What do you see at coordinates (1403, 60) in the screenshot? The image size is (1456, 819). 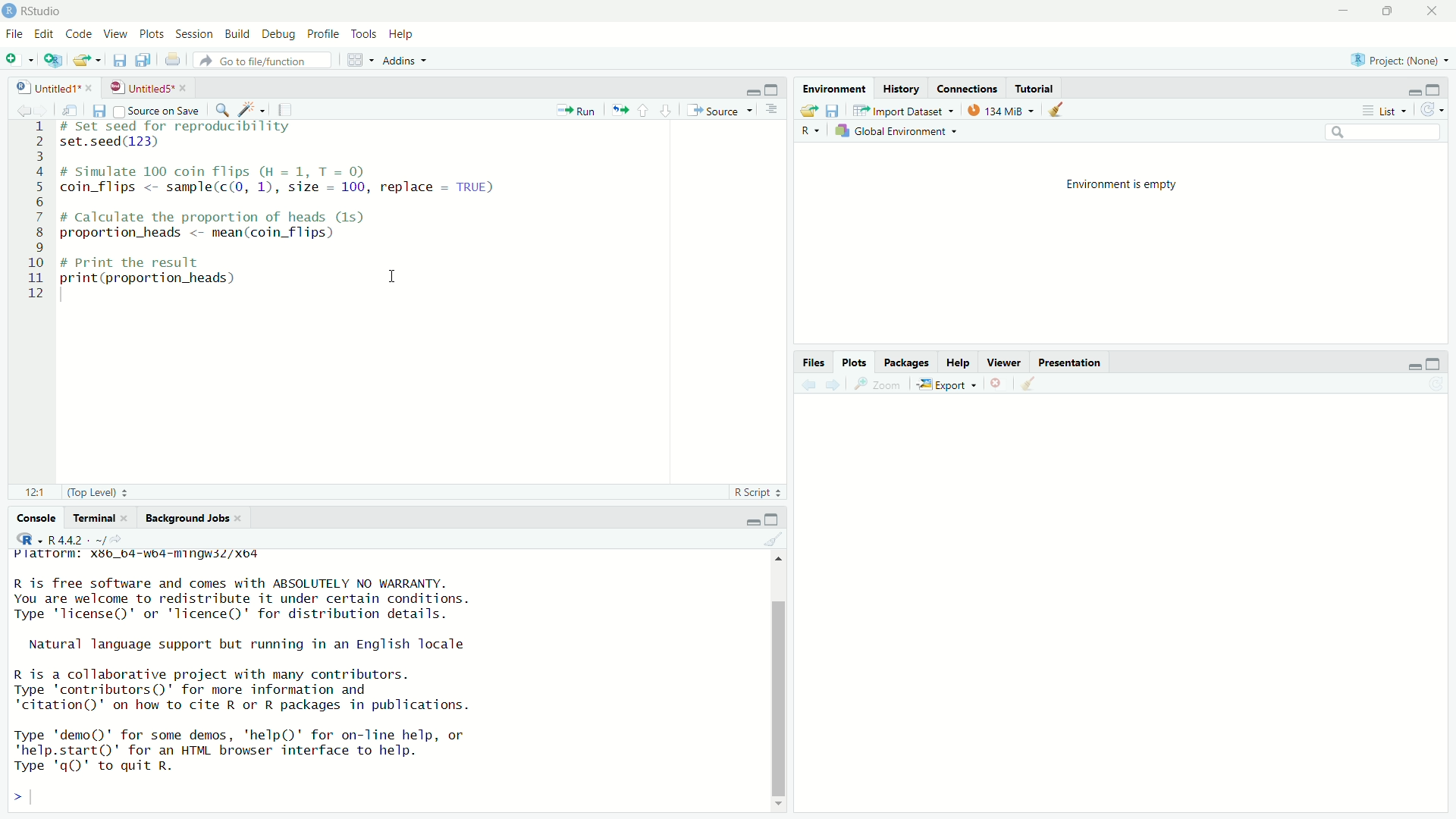 I see `project: (none)` at bounding box center [1403, 60].